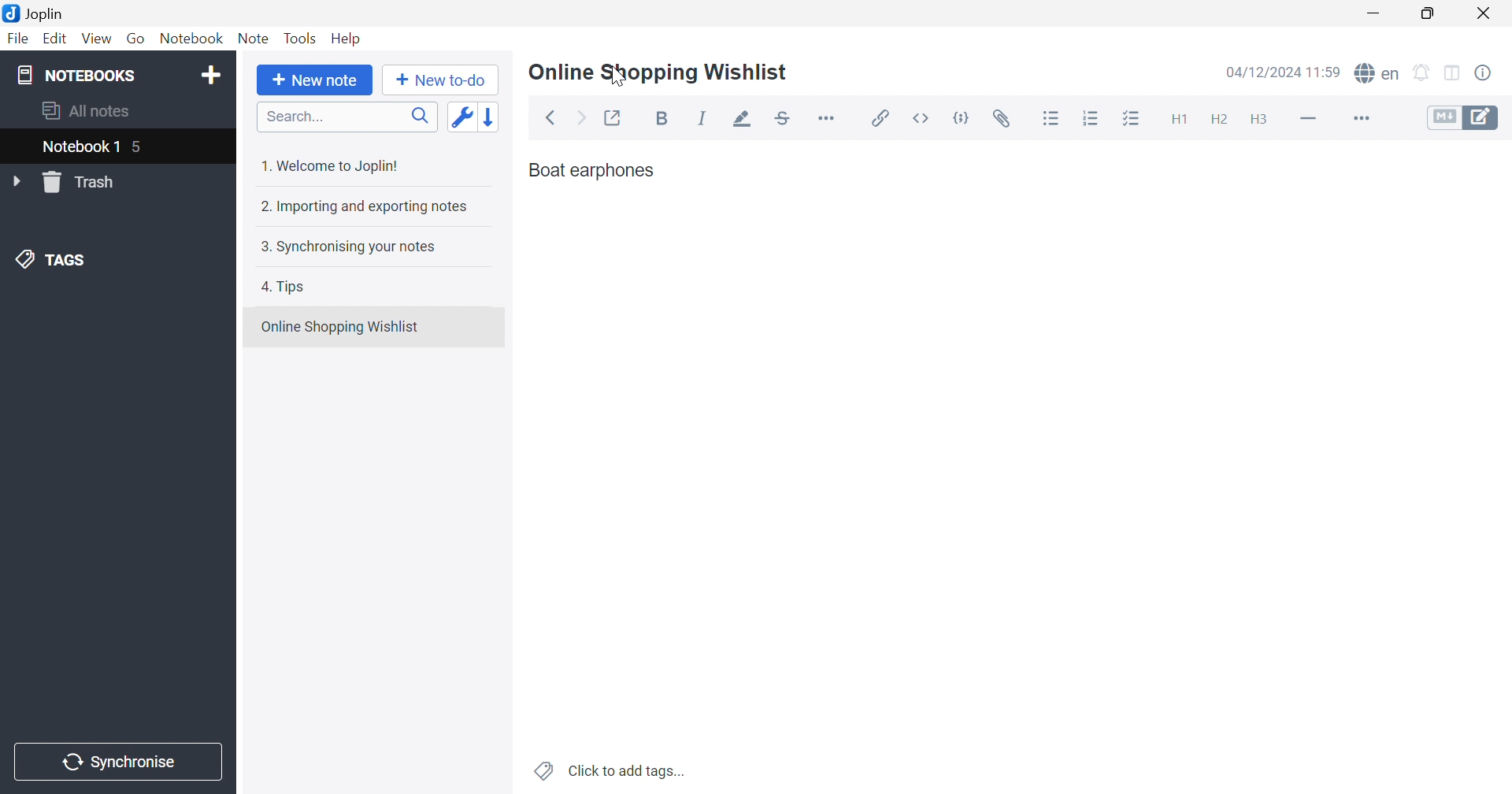  I want to click on Cursor, so click(617, 75).